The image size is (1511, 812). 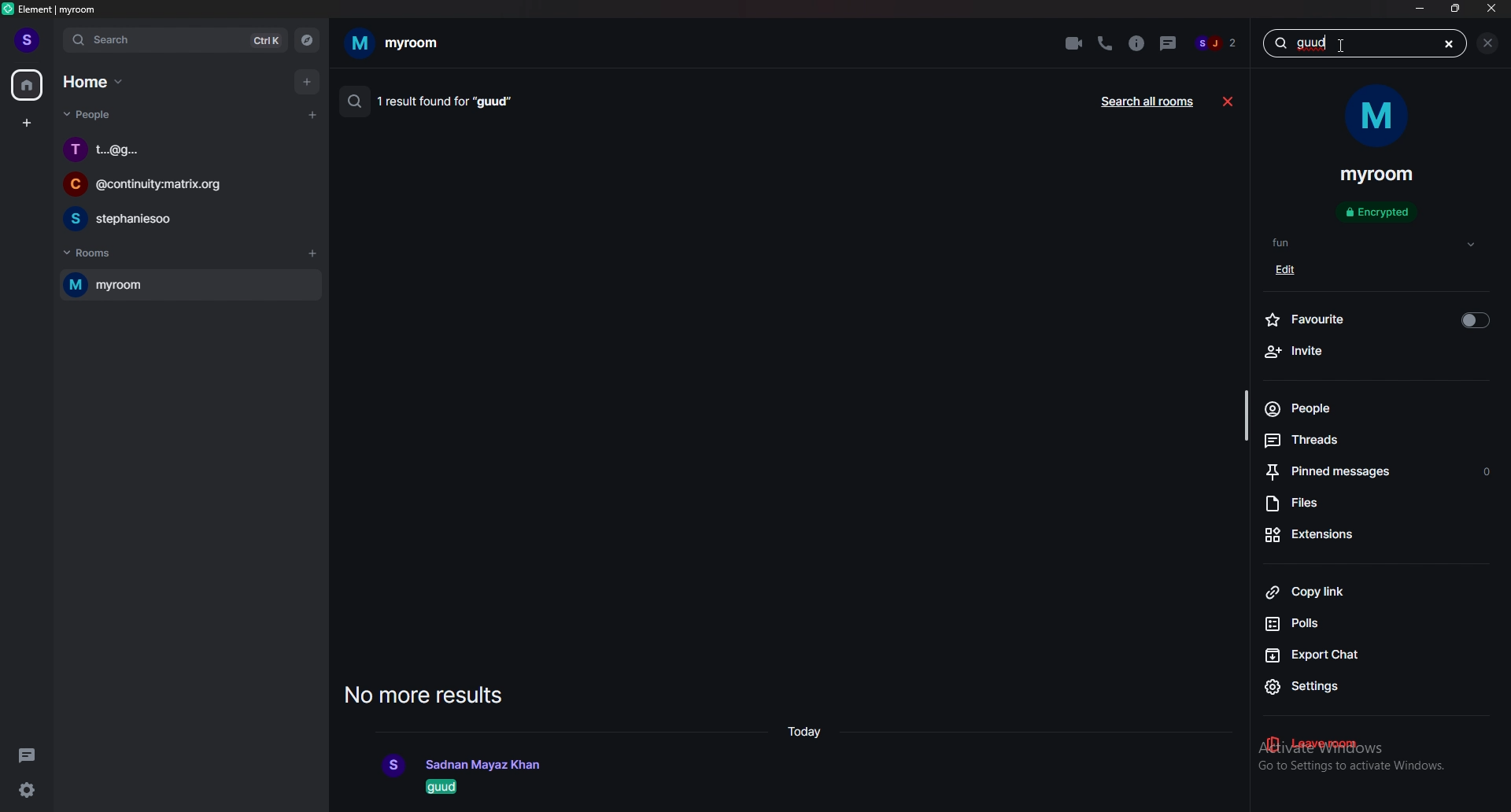 What do you see at coordinates (1352, 689) in the screenshot?
I see `settings` at bounding box center [1352, 689].